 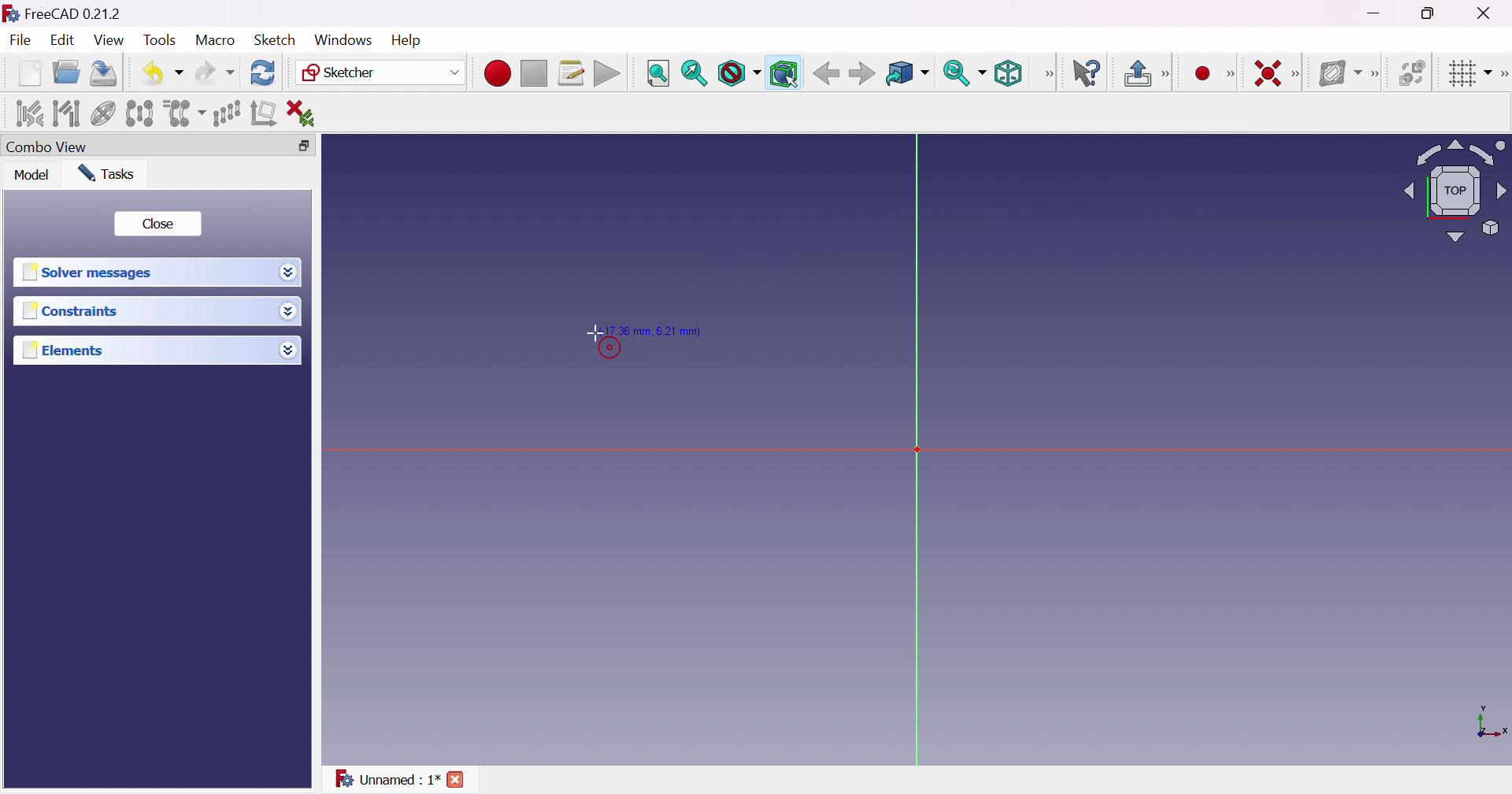 I want to click on Cursor, so click(x=593, y=332).